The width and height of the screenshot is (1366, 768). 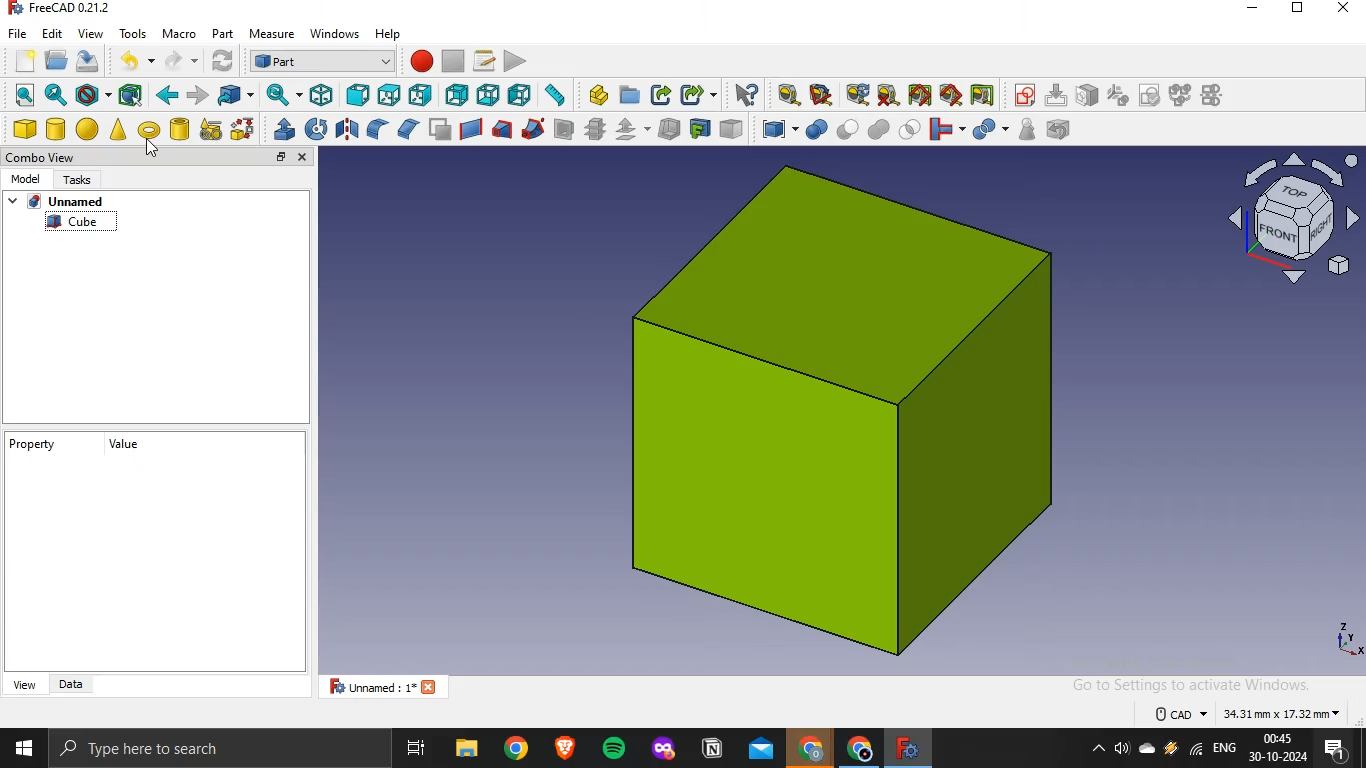 I want to click on compound tools, so click(x=777, y=128).